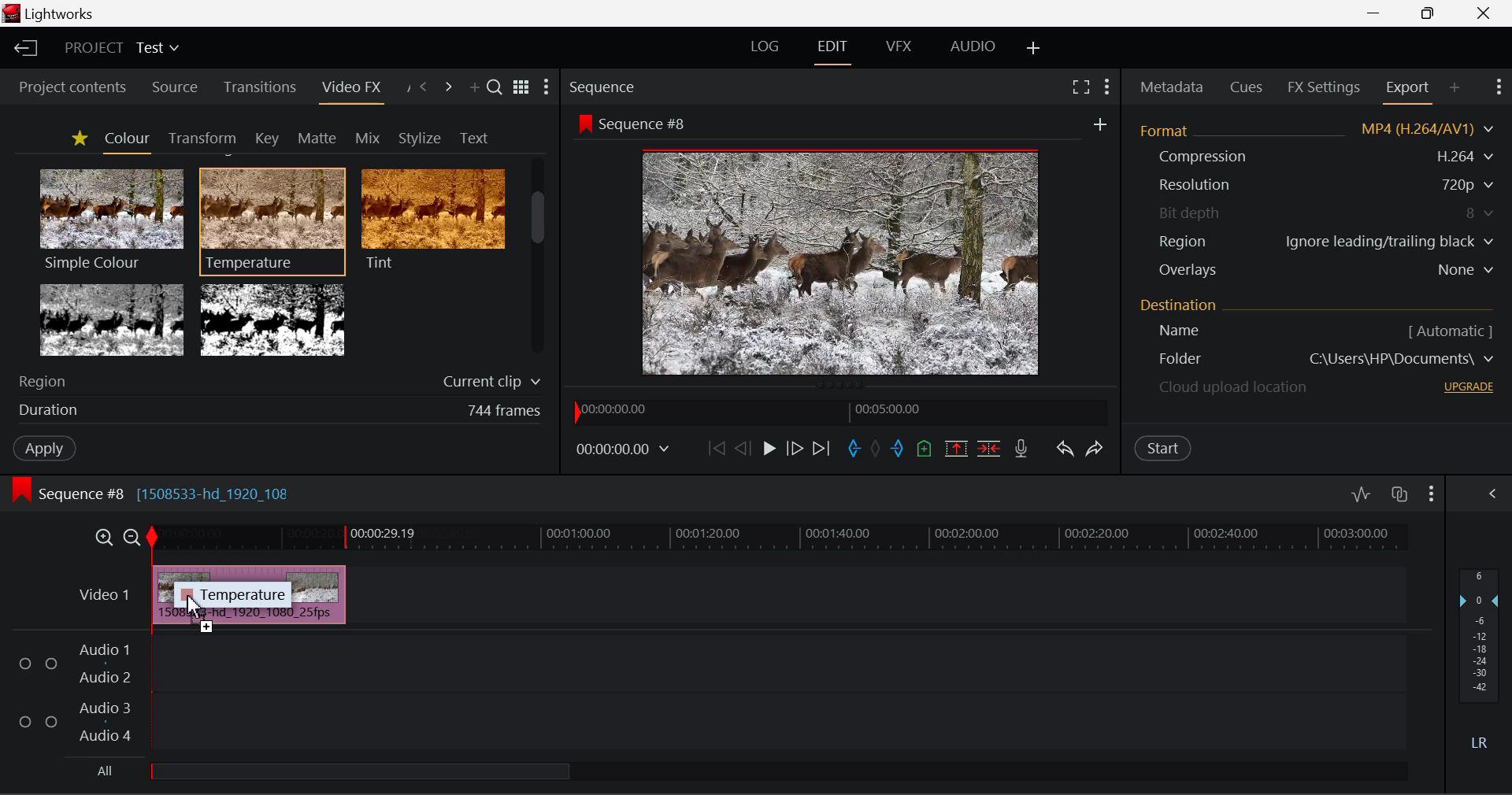 This screenshot has height=795, width=1512. What do you see at coordinates (1324, 87) in the screenshot?
I see `FX Settings` at bounding box center [1324, 87].